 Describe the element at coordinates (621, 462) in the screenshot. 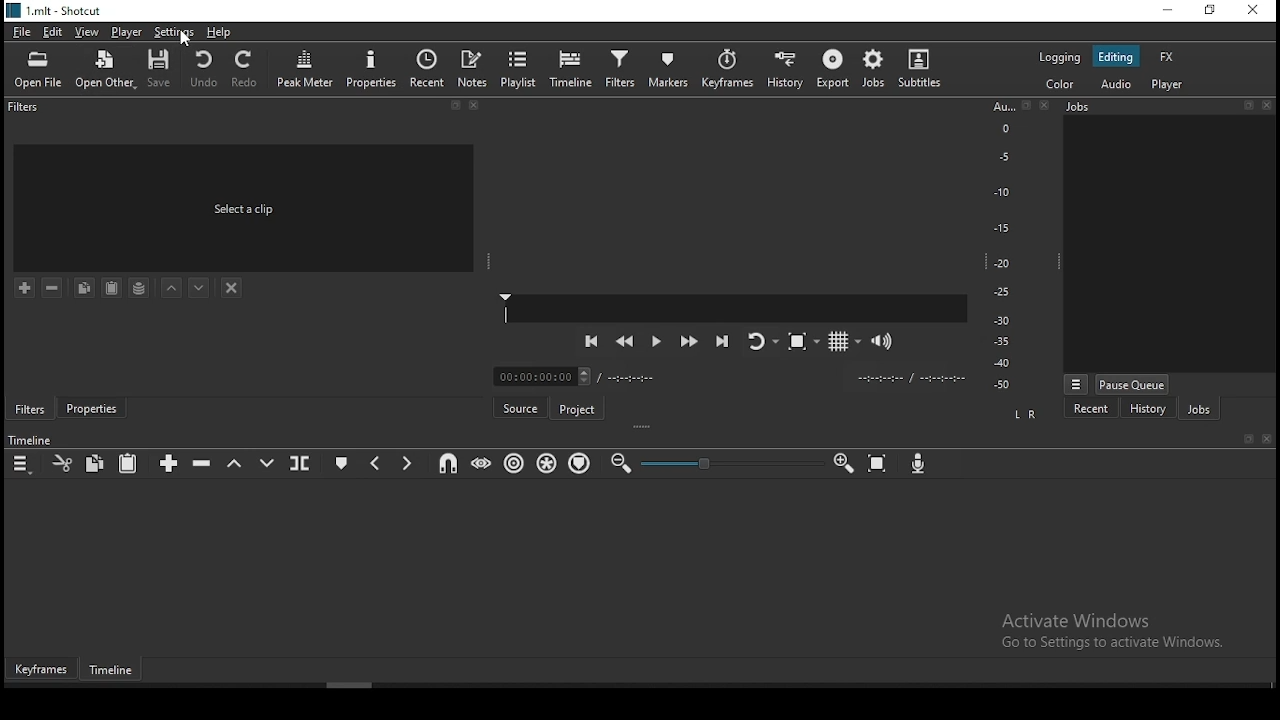

I see `zoom timeline out` at that location.